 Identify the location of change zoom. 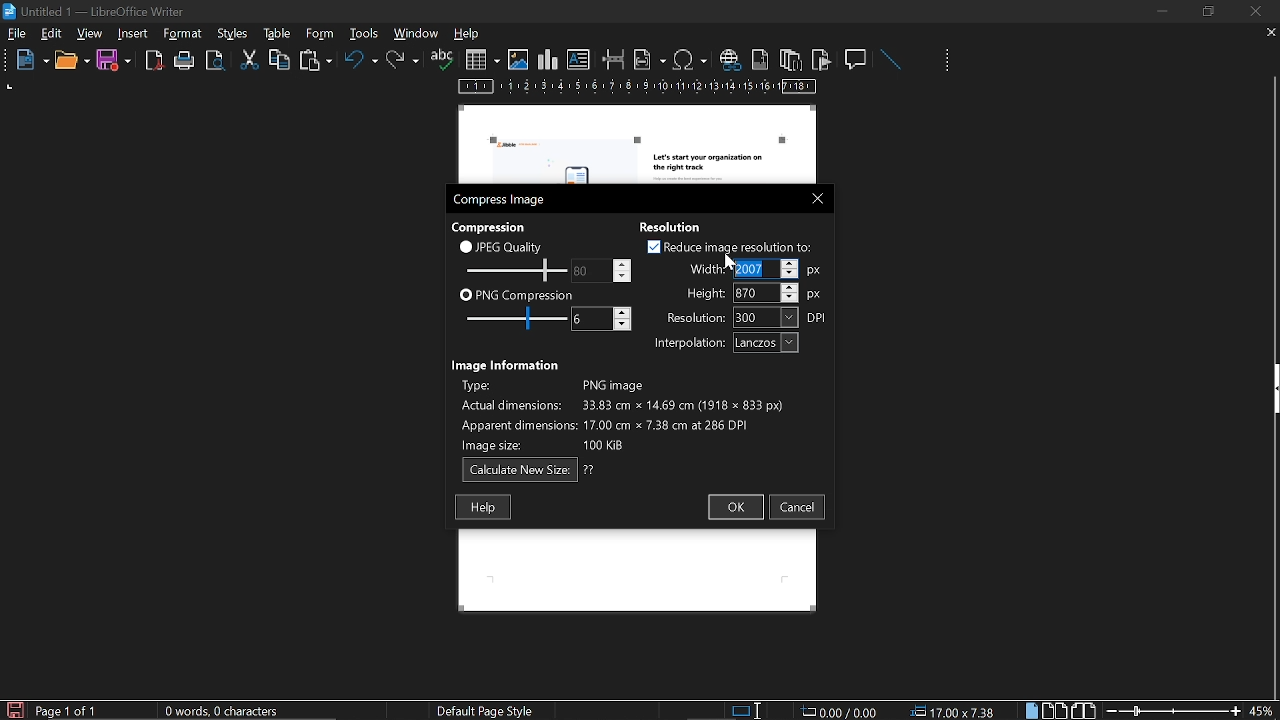
(1173, 710).